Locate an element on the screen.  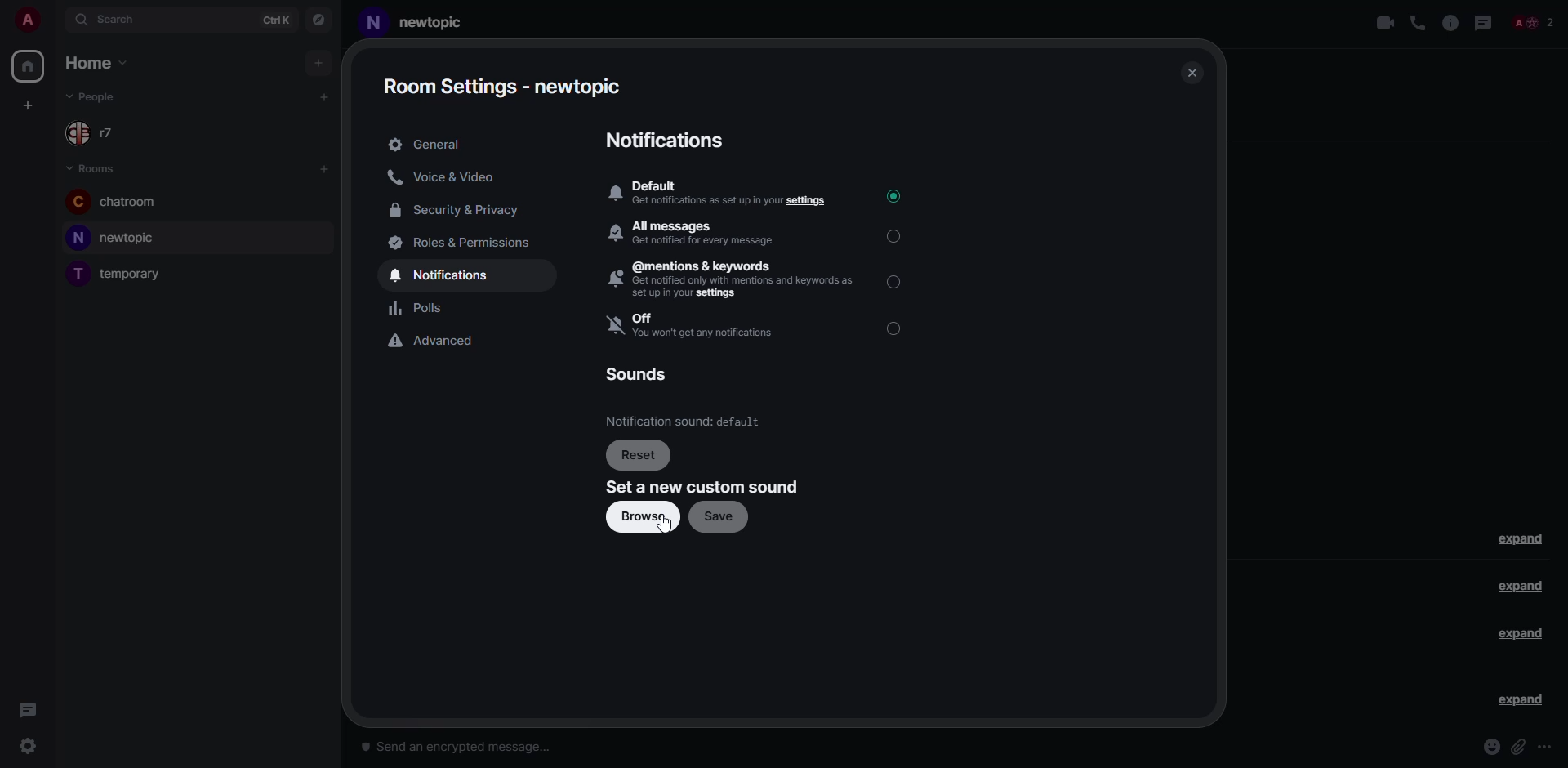
select is located at coordinates (898, 235).